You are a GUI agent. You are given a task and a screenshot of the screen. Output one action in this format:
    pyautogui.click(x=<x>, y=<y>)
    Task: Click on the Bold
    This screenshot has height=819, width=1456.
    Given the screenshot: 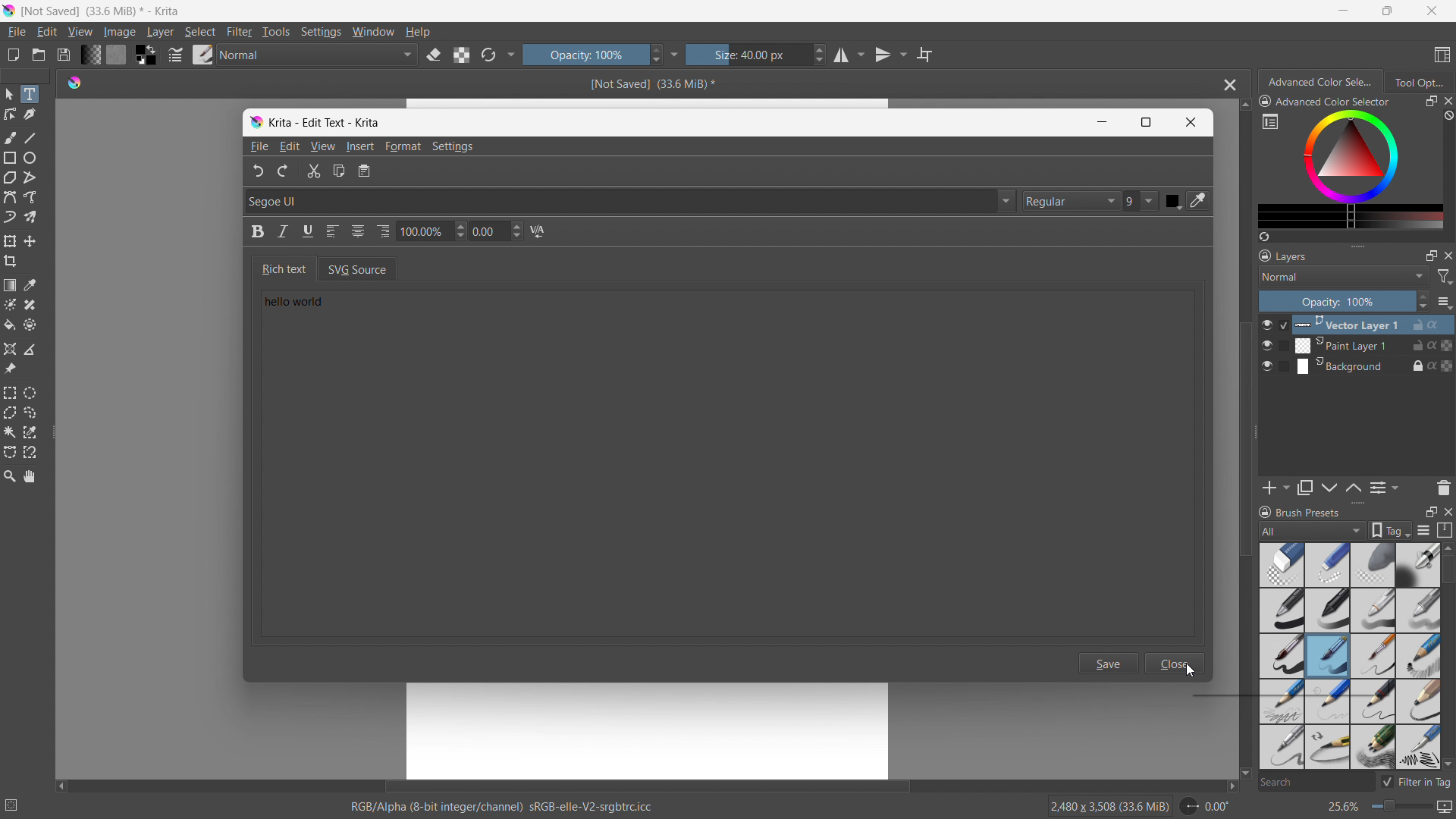 What is the action you would take?
    pyautogui.click(x=253, y=234)
    